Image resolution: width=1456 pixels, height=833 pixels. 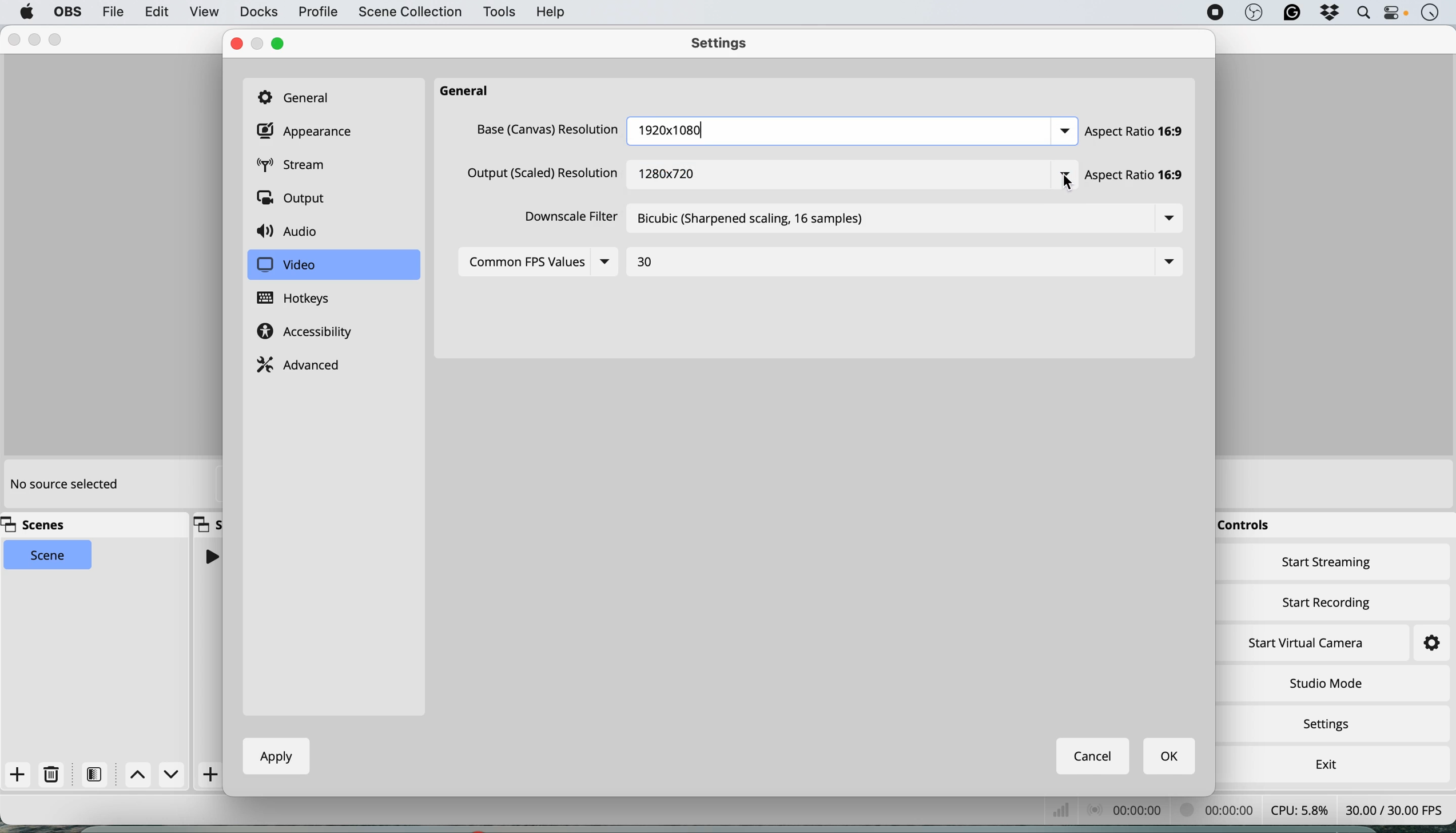 I want to click on edit, so click(x=158, y=13).